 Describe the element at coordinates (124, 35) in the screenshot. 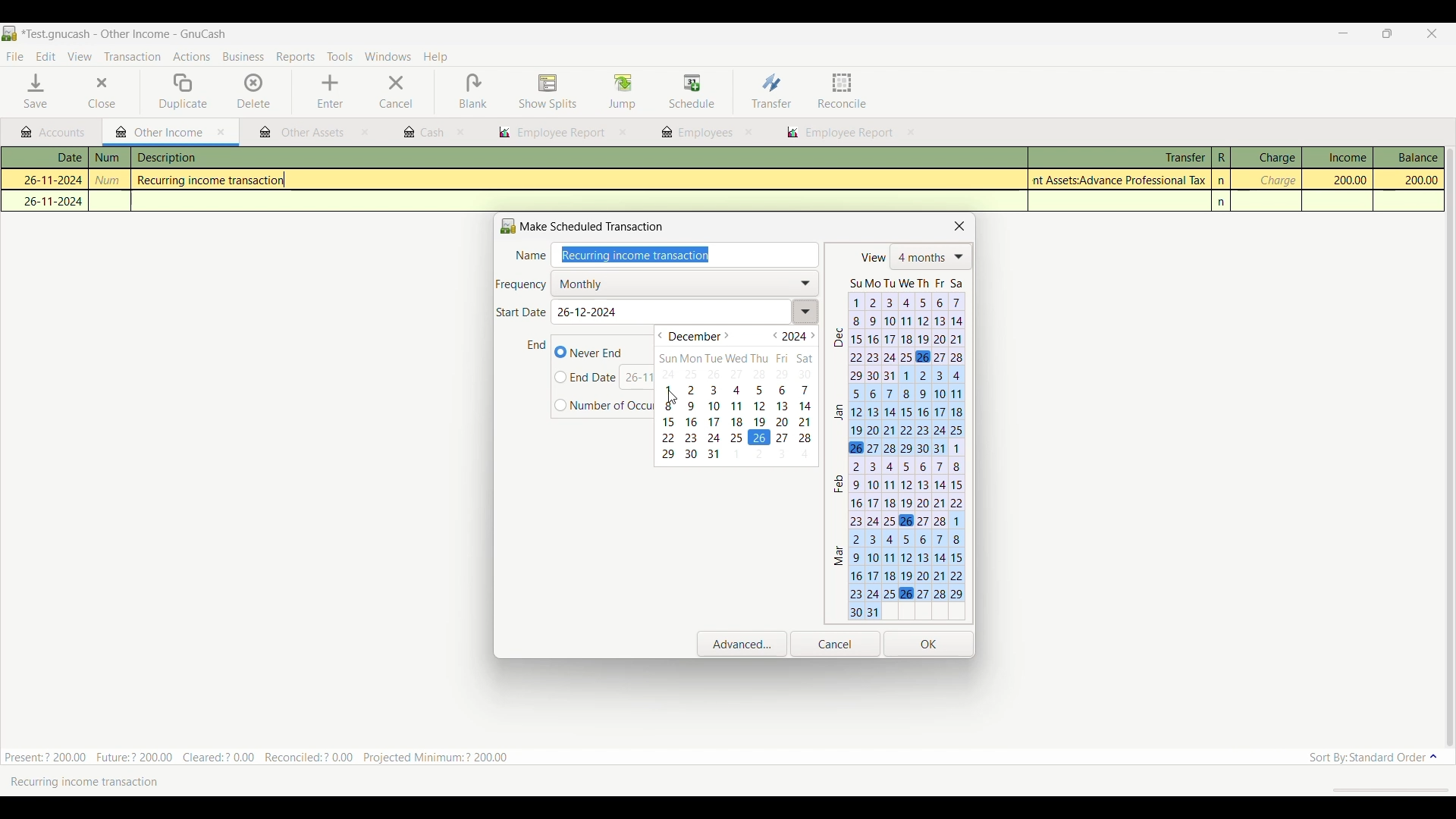

I see `Project and software name ` at that location.